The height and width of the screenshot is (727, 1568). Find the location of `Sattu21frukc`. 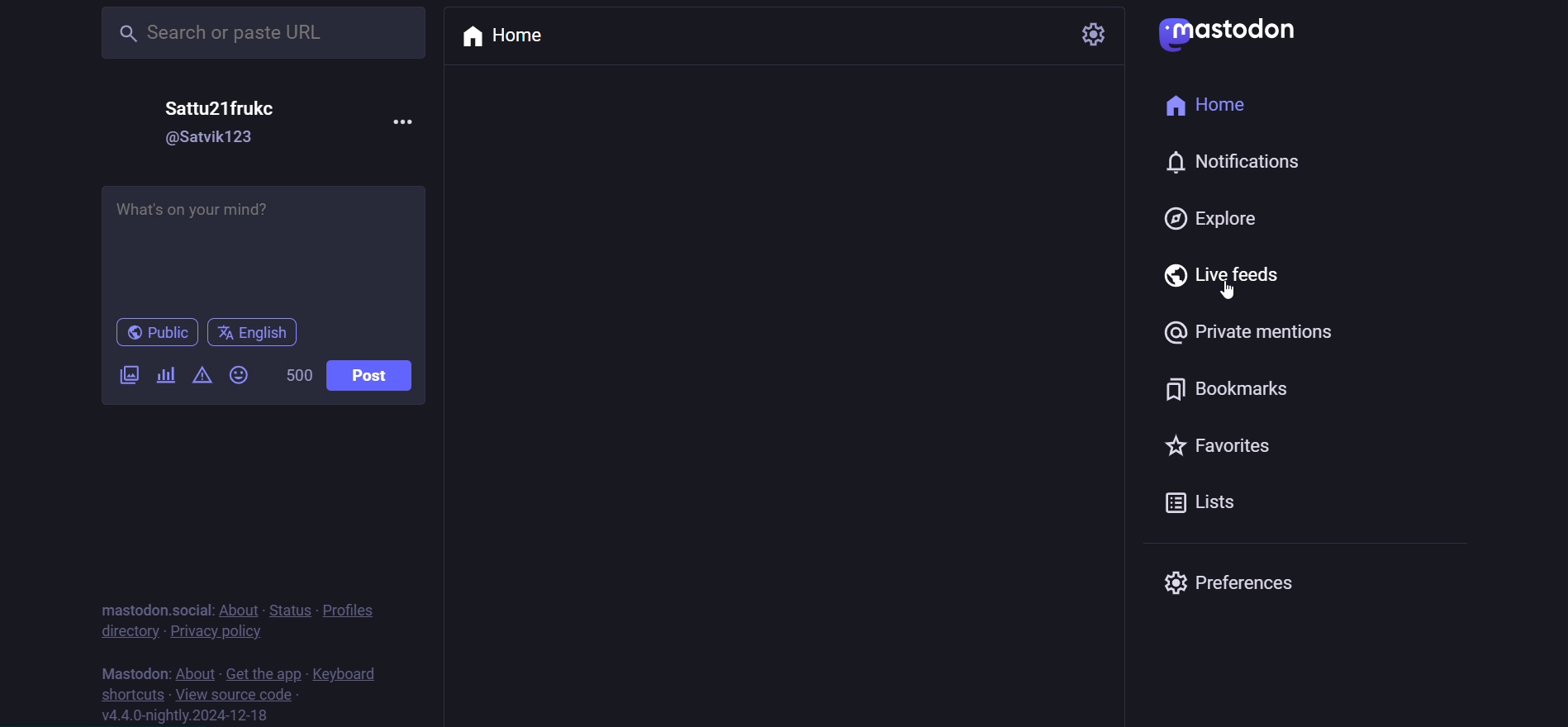

Sattu21frukc is located at coordinates (222, 108).